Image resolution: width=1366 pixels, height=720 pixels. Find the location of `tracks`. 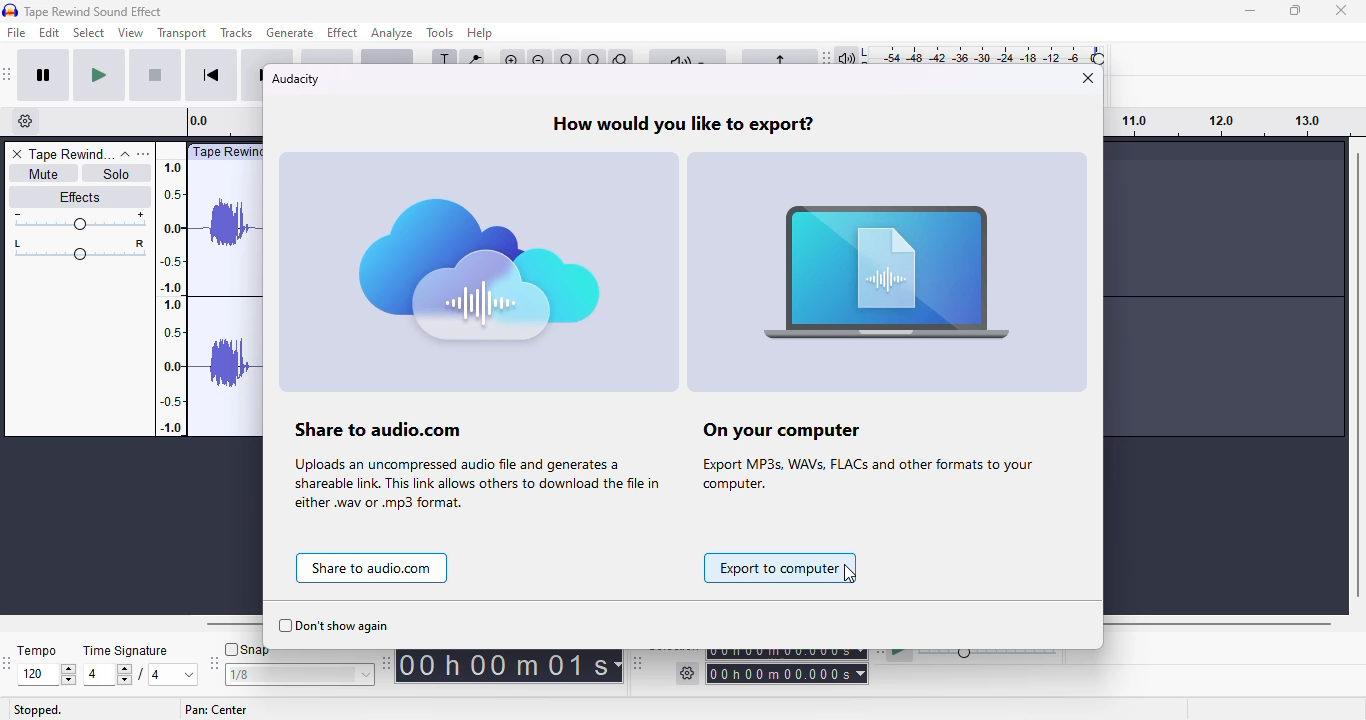

tracks is located at coordinates (236, 33).